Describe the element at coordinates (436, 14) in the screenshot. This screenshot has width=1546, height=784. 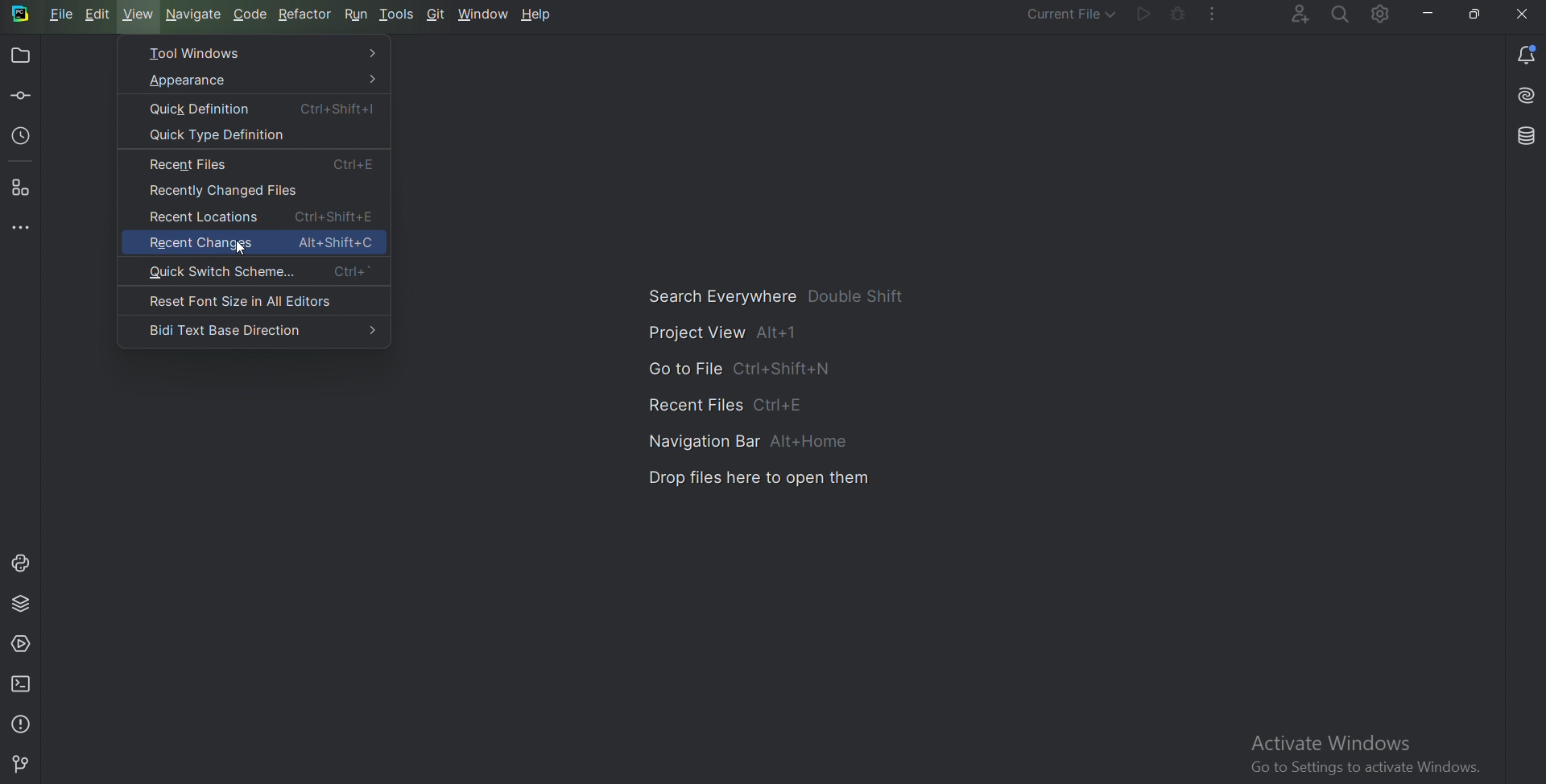
I see `Git` at that location.